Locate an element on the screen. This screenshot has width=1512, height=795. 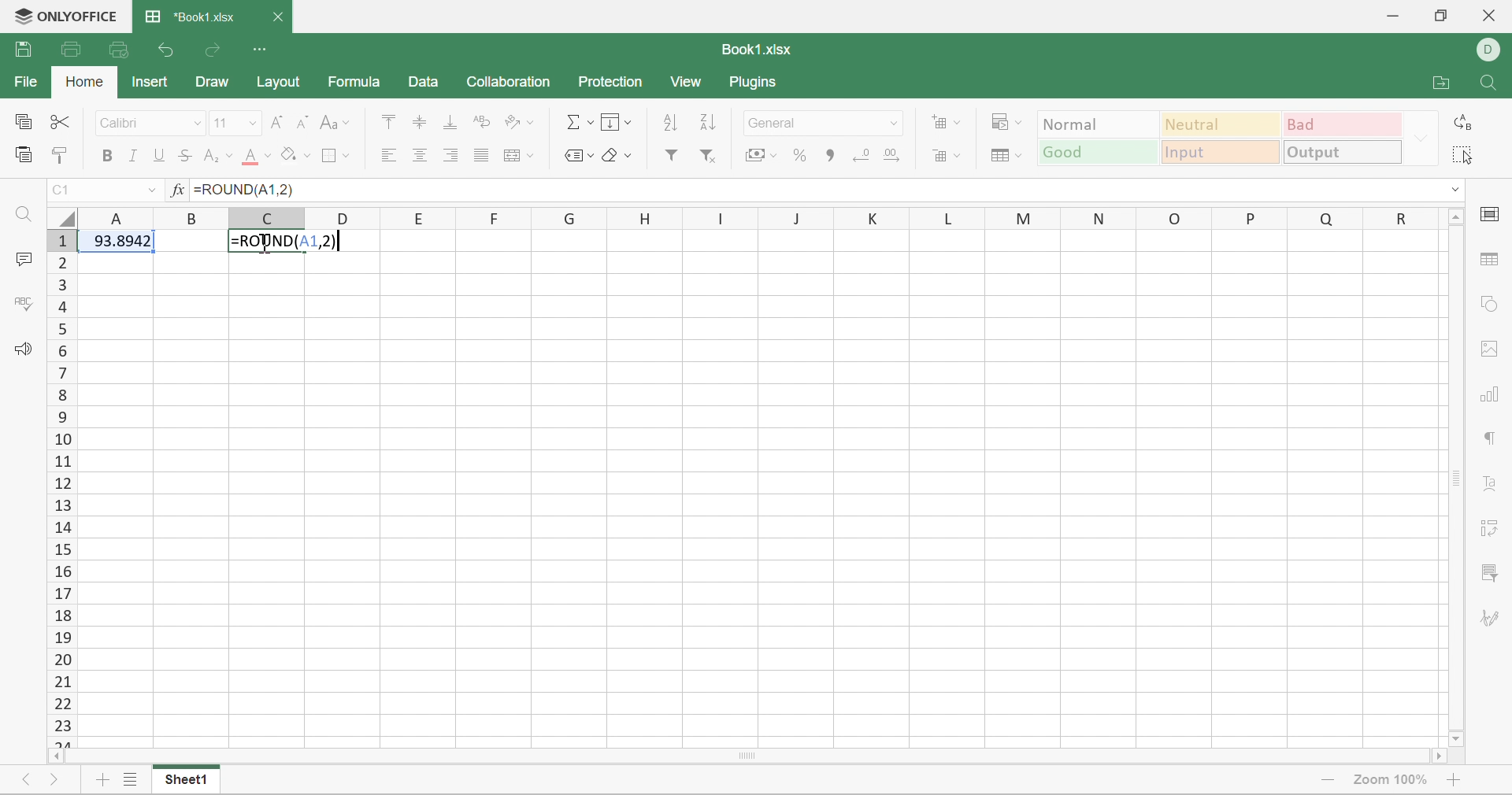
Output is located at coordinates (1342, 152).